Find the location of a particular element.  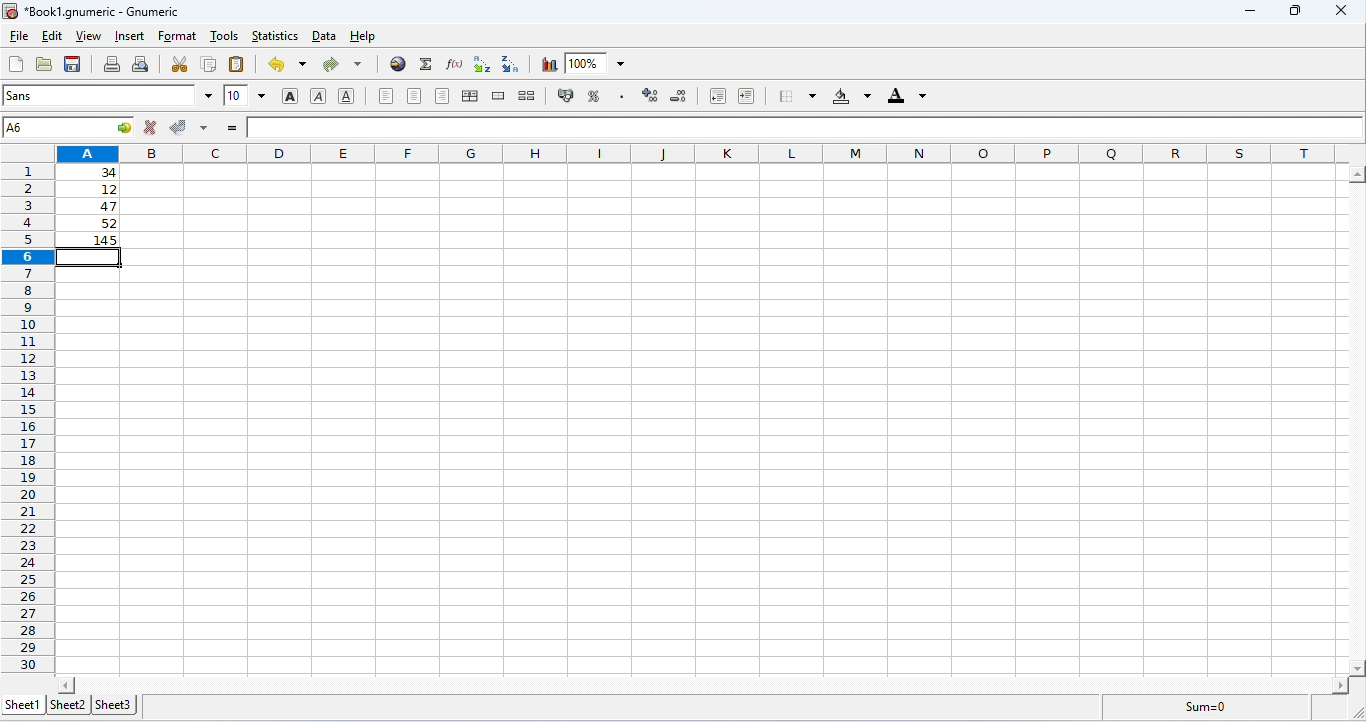

print is located at coordinates (112, 64).